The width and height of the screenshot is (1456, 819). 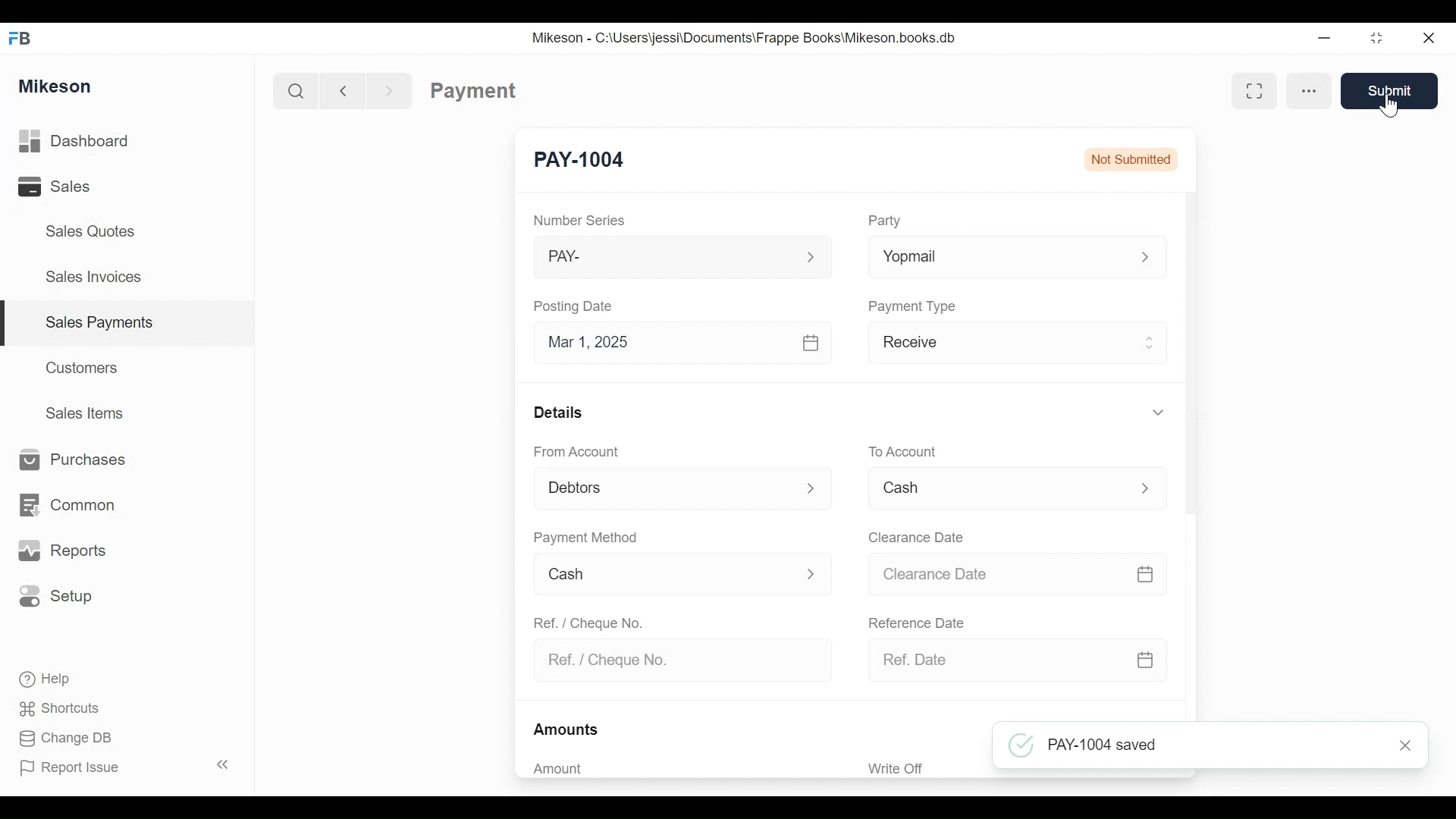 I want to click on Reference date, so click(x=925, y=622).